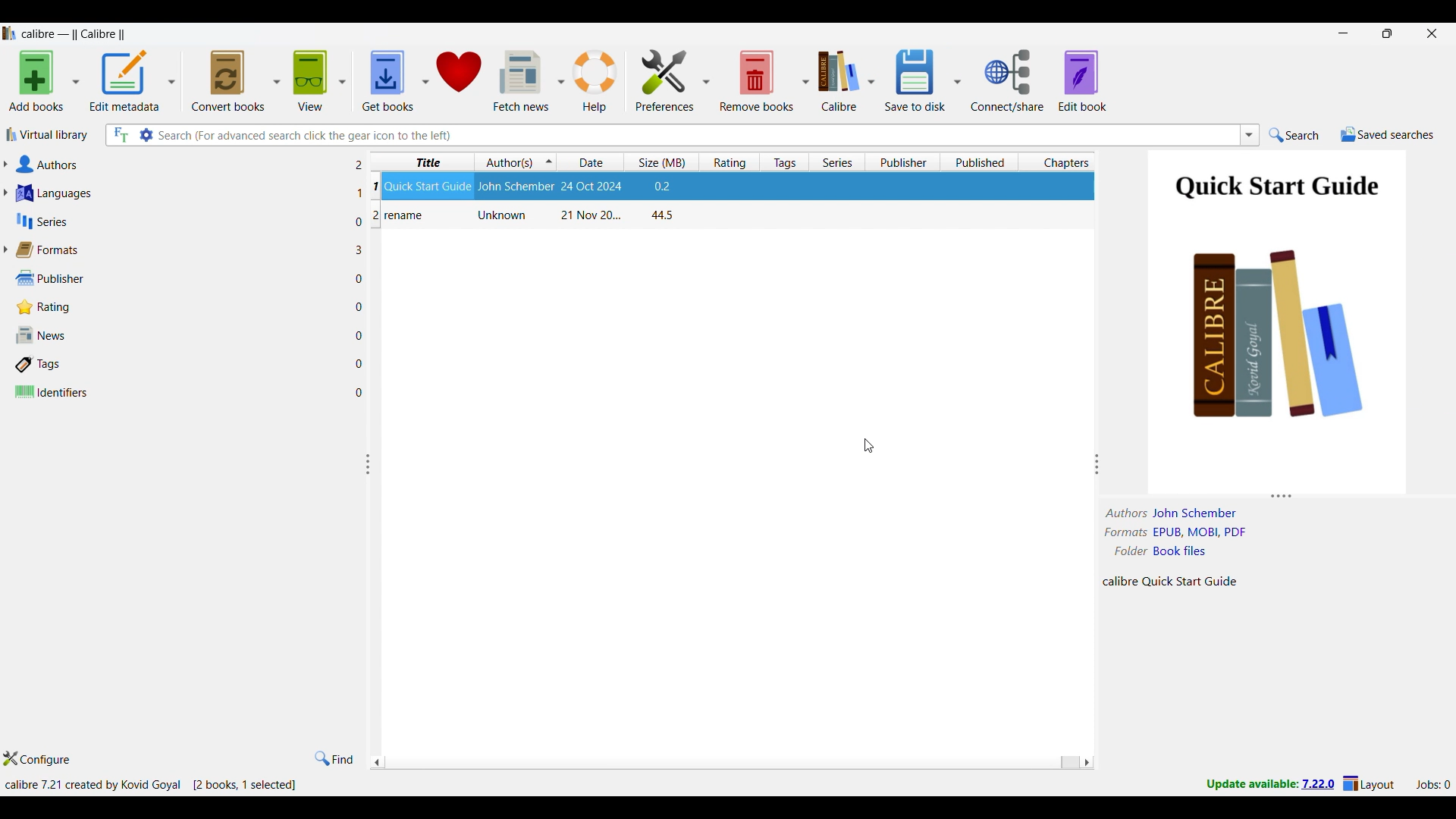 The width and height of the screenshot is (1456, 819). Describe the element at coordinates (373, 536) in the screenshot. I see `Change width of panels attached to this line` at that location.